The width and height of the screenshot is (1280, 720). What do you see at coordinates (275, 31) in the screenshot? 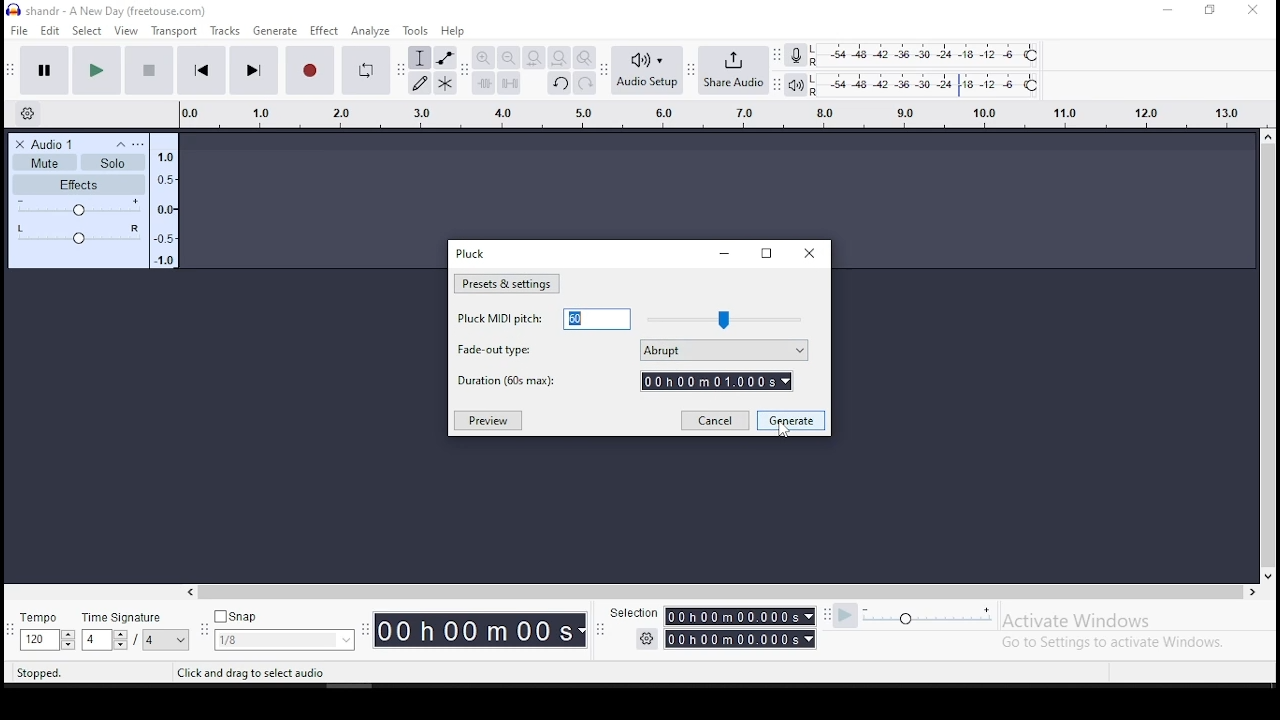
I see `generate` at bounding box center [275, 31].